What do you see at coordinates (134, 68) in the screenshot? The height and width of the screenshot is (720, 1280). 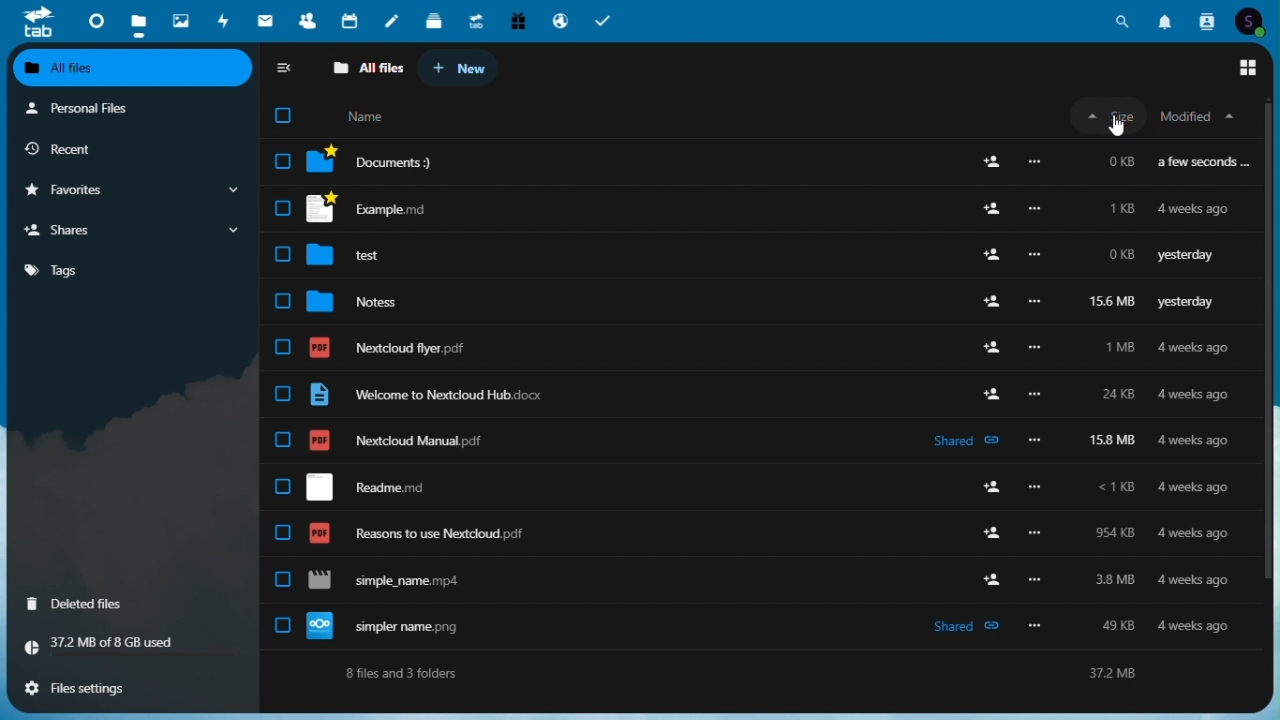 I see `All files` at bounding box center [134, 68].